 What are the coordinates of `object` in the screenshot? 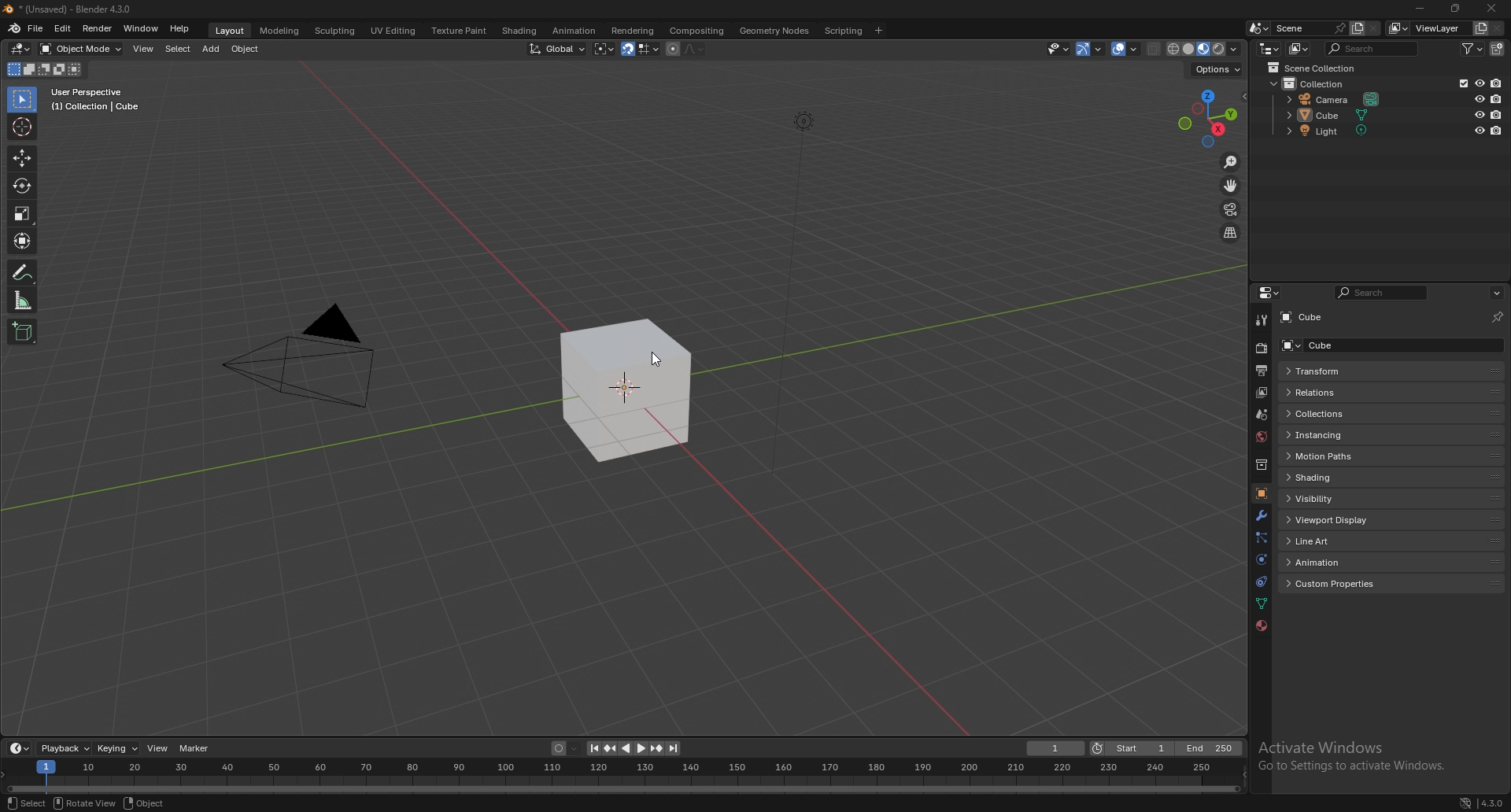 It's located at (145, 804).